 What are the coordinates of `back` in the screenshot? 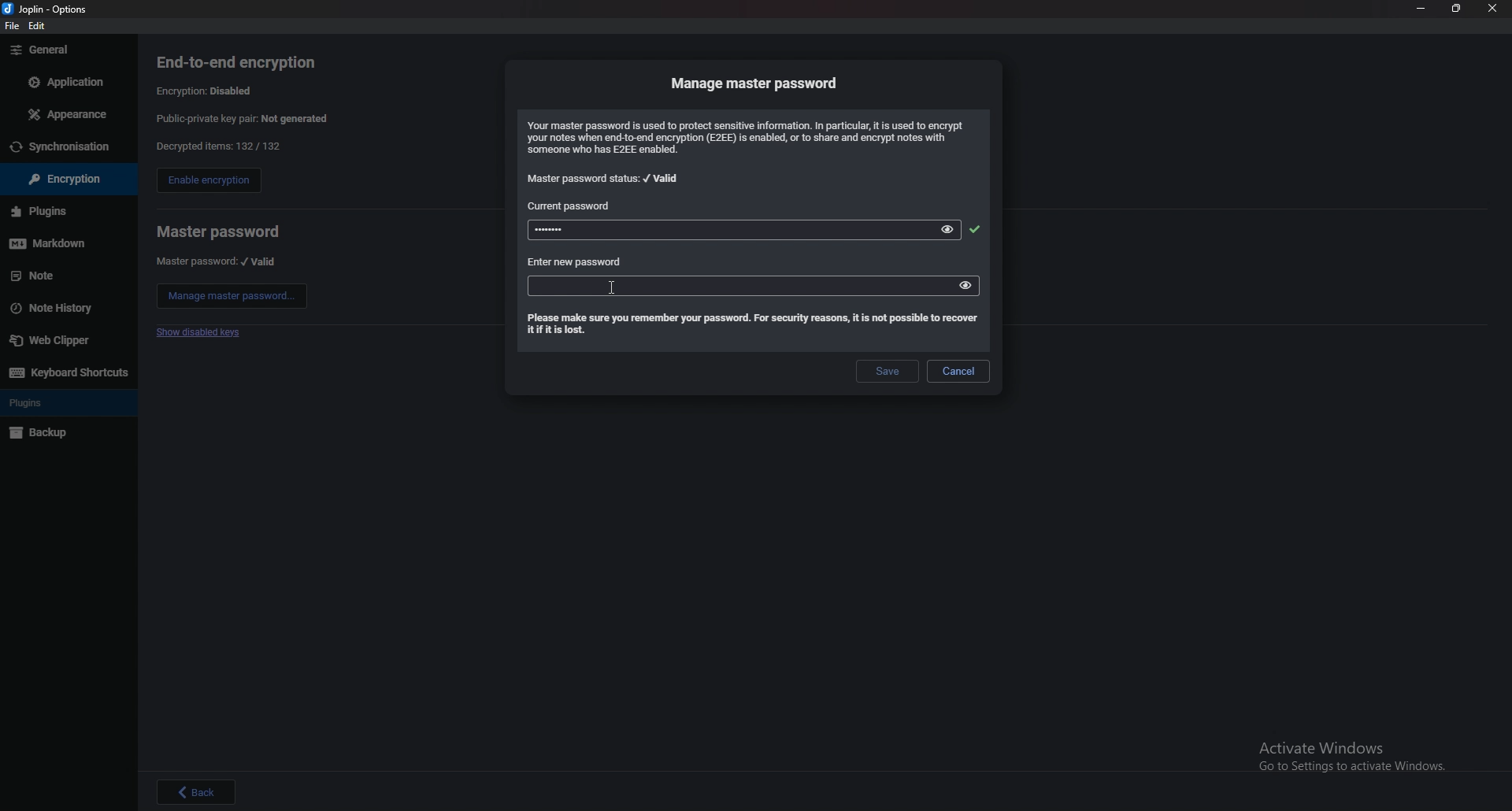 It's located at (197, 791).